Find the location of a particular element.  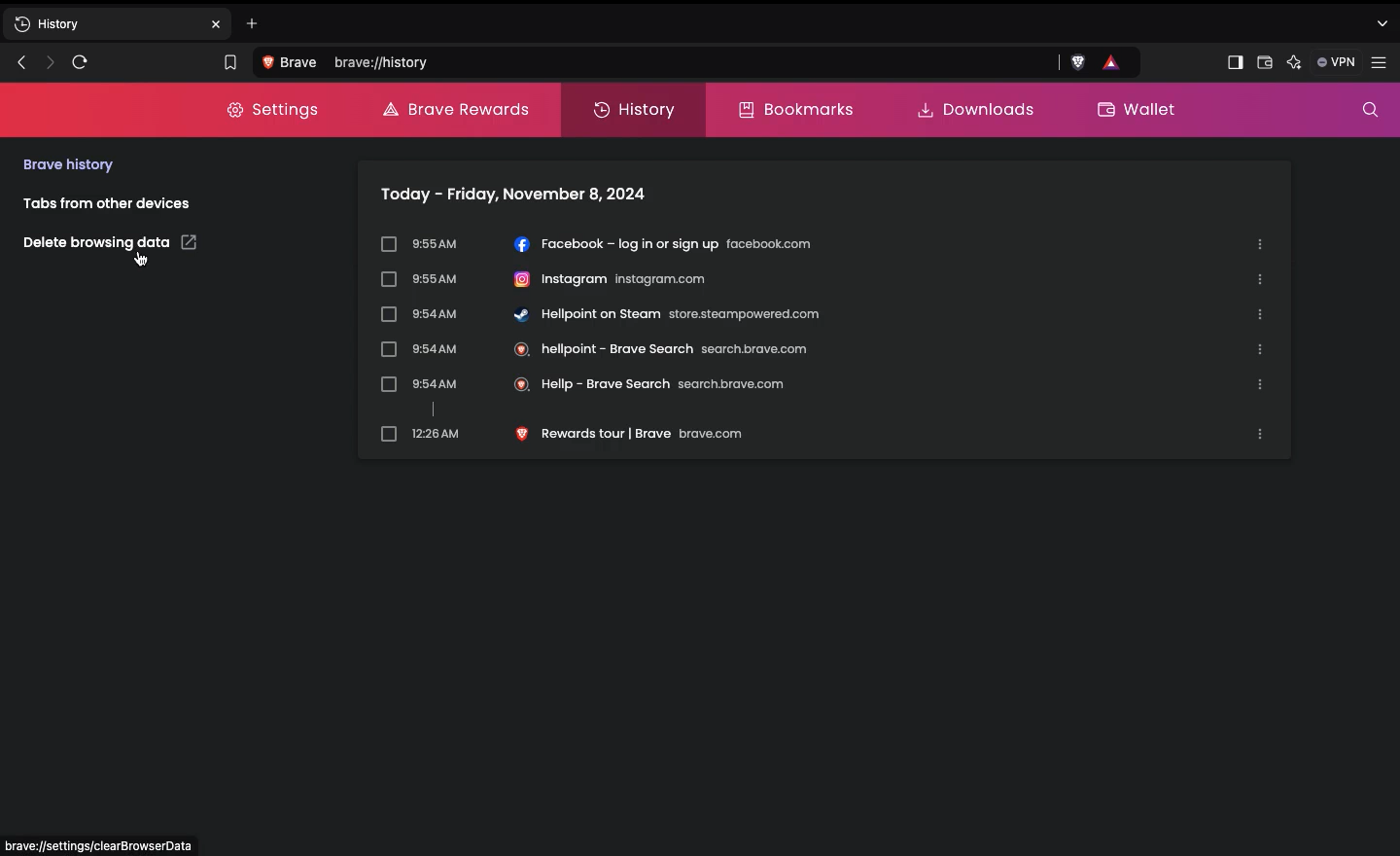

Refresh page is located at coordinates (80, 61).